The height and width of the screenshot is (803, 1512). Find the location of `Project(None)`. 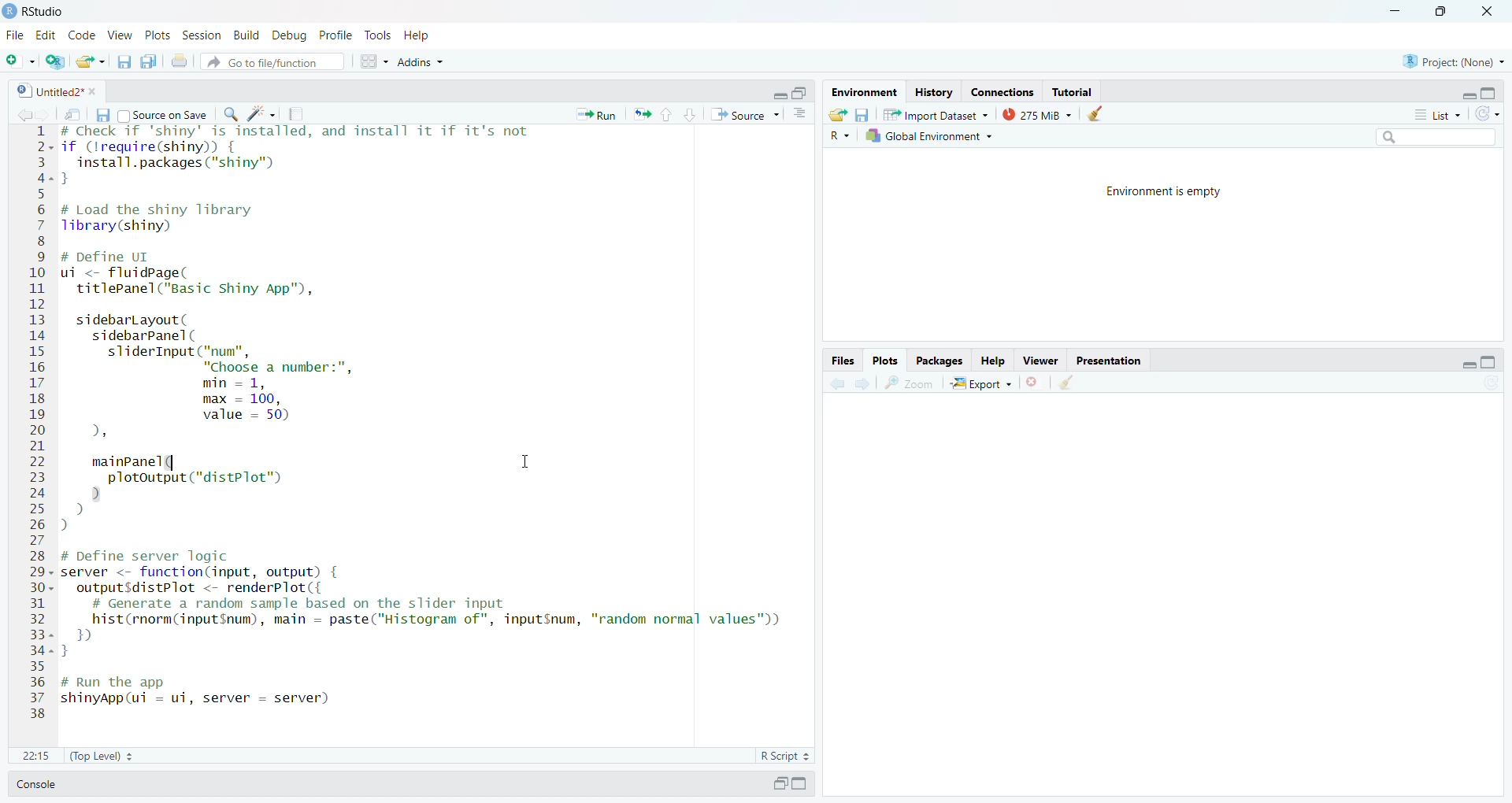

Project(None) is located at coordinates (1455, 61).